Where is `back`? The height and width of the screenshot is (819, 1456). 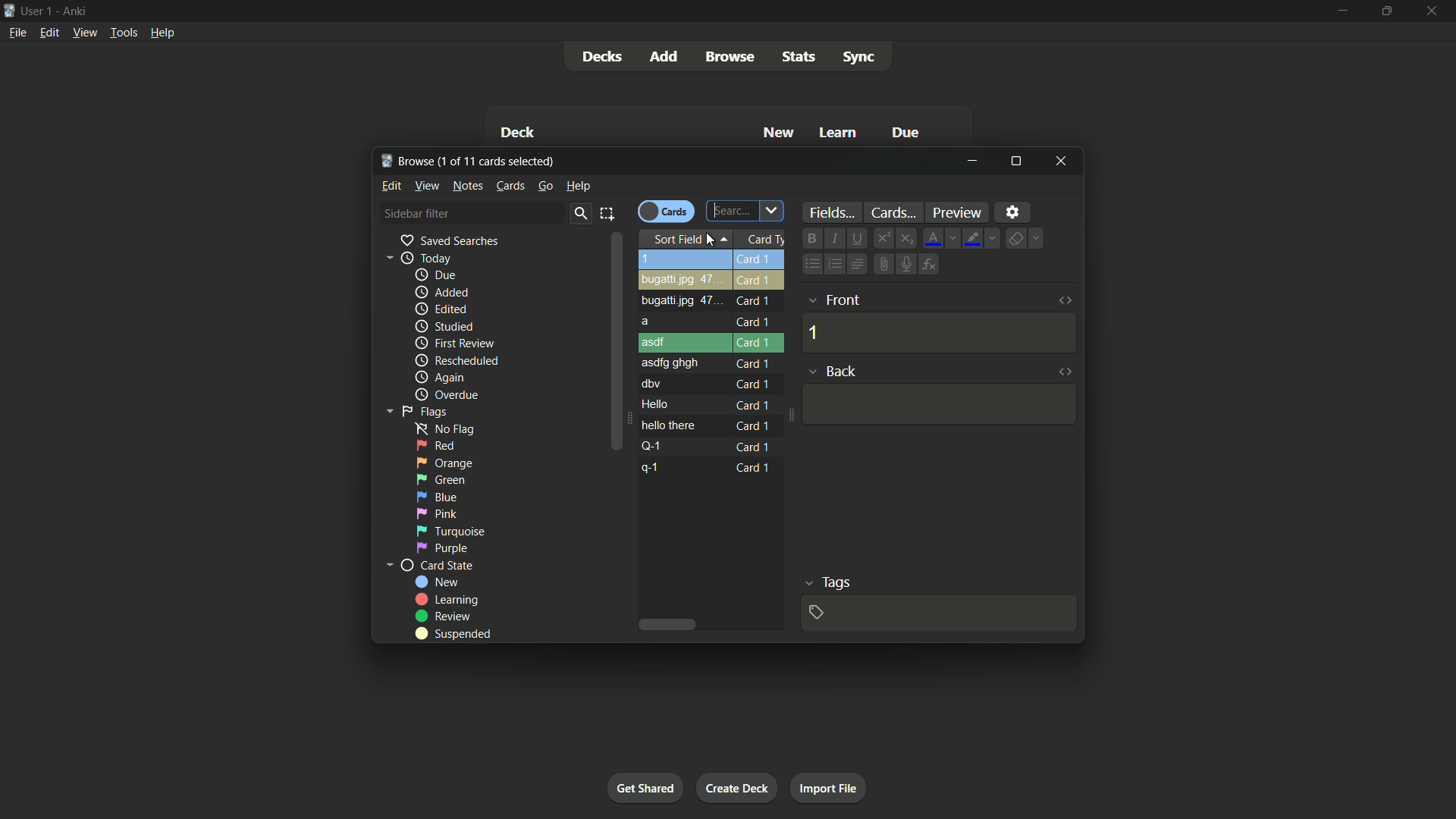
back is located at coordinates (844, 371).